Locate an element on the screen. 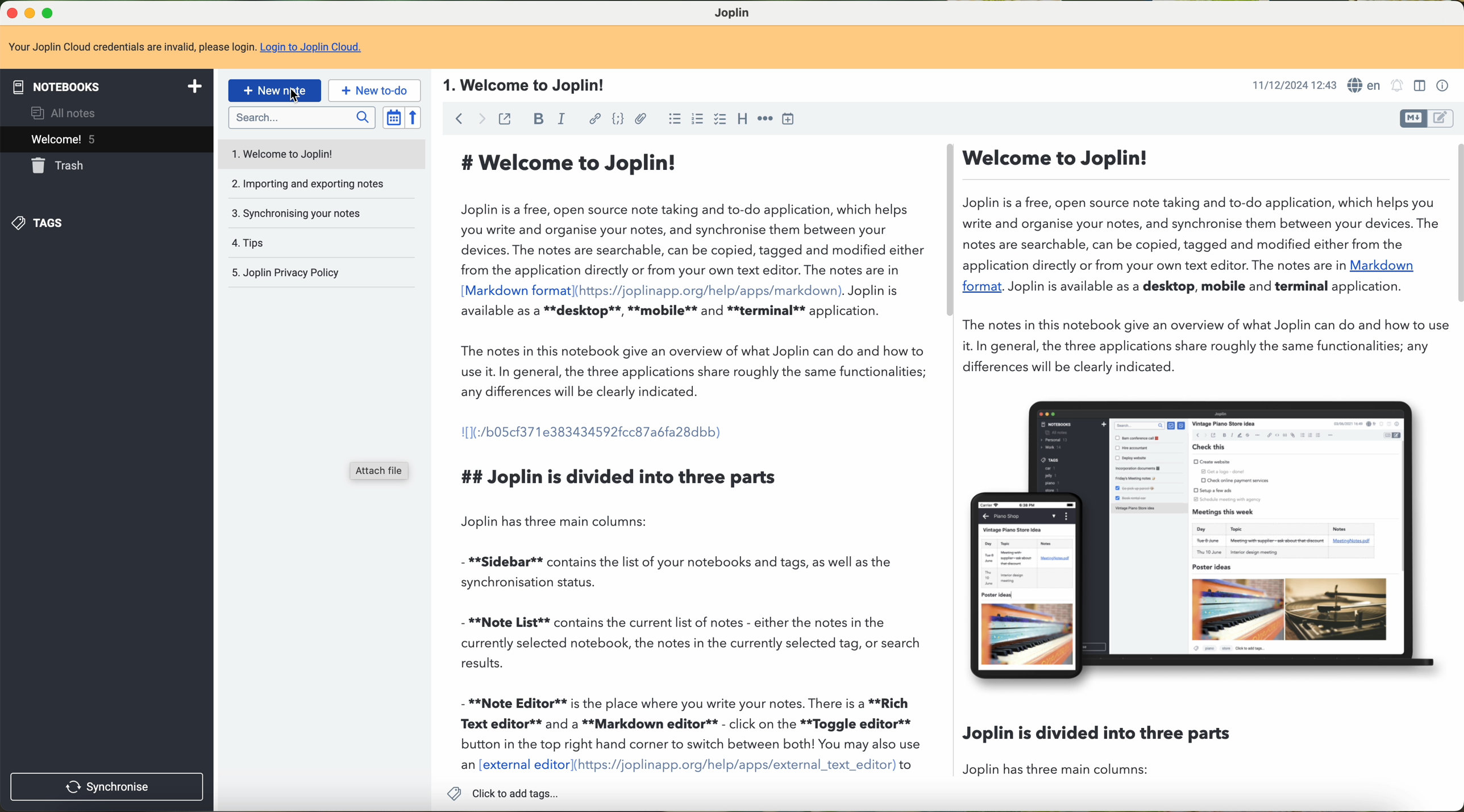 Image resolution: width=1464 pixels, height=812 pixels. attach file is located at coordinates (381, 472).